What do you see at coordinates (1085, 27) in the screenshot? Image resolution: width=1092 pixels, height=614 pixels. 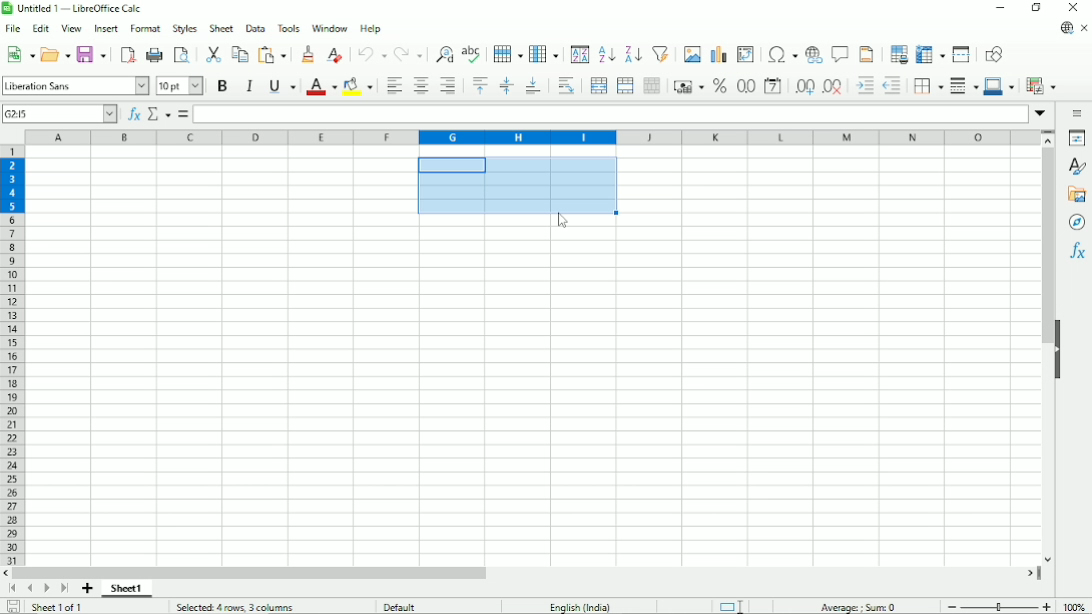 I see `Close document` at bounding box center [1085, 27].